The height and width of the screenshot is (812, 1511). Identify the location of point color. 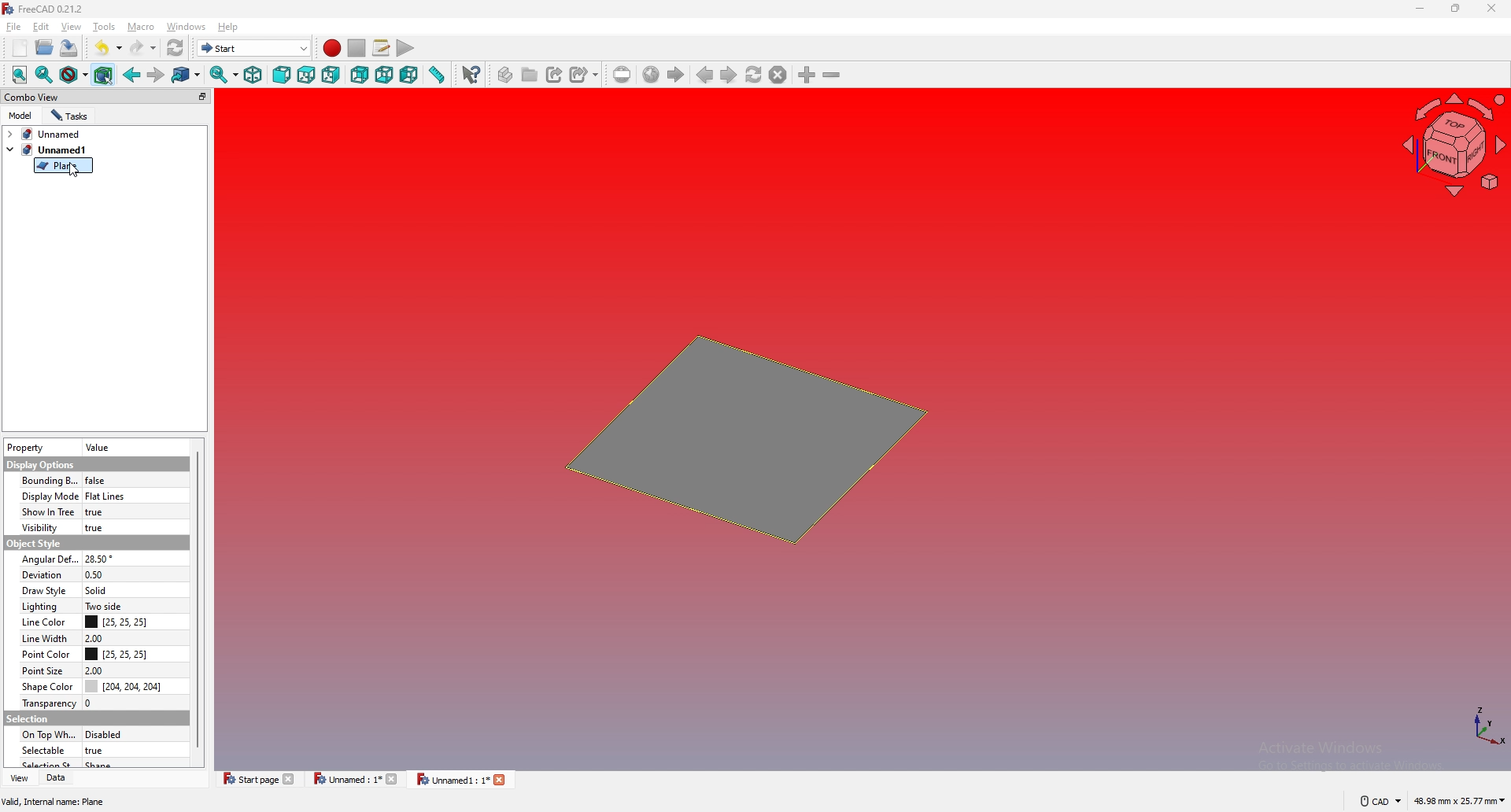
(45, 654).